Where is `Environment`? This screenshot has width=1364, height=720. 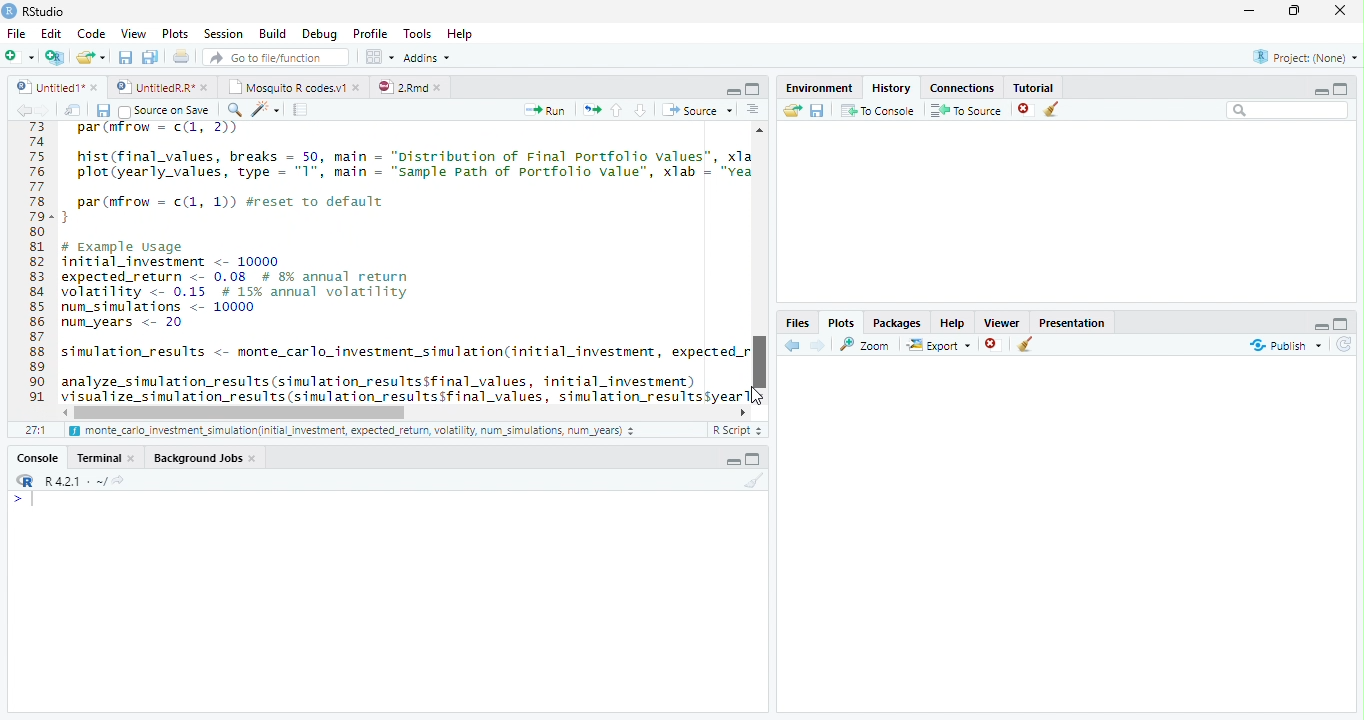
Environment is located at coordinates (819, 85).